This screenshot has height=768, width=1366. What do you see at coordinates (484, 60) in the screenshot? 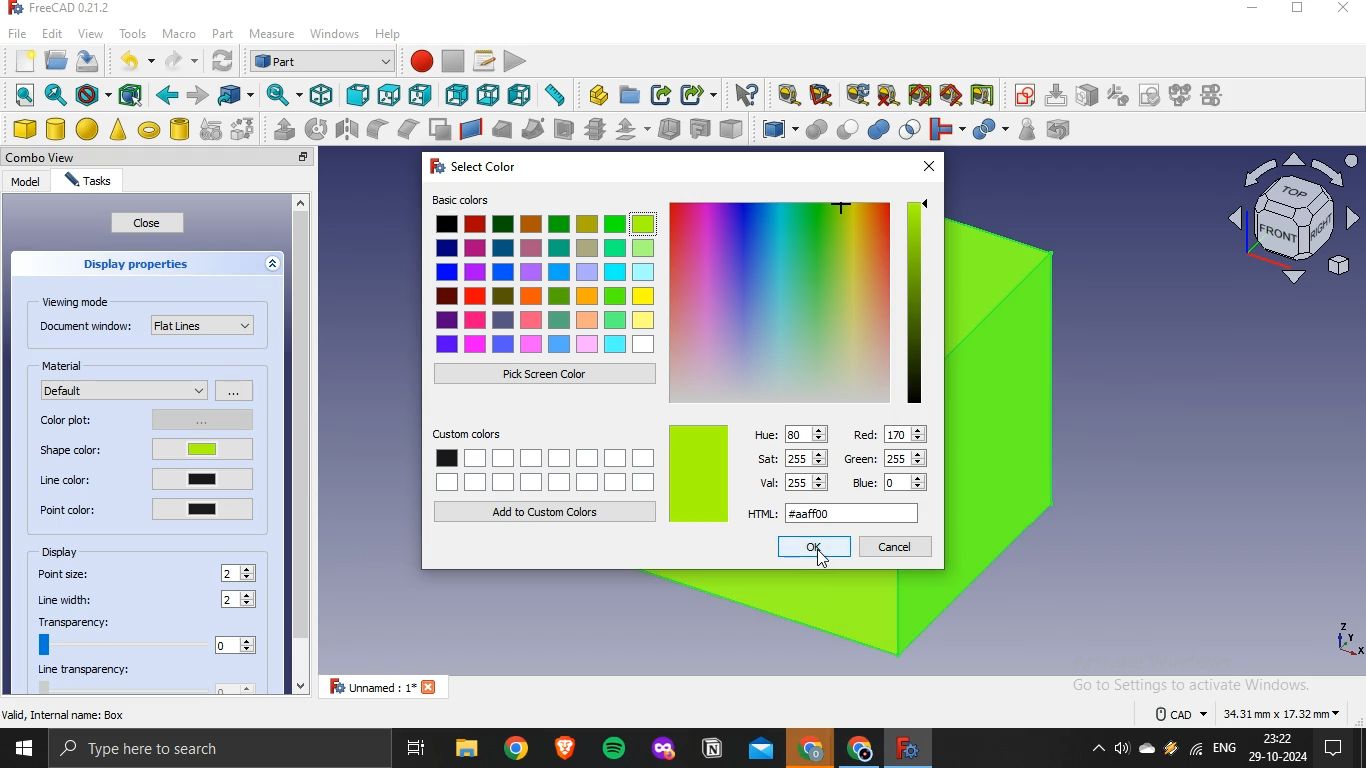
I see `macros` at bounding box center [484, 60].